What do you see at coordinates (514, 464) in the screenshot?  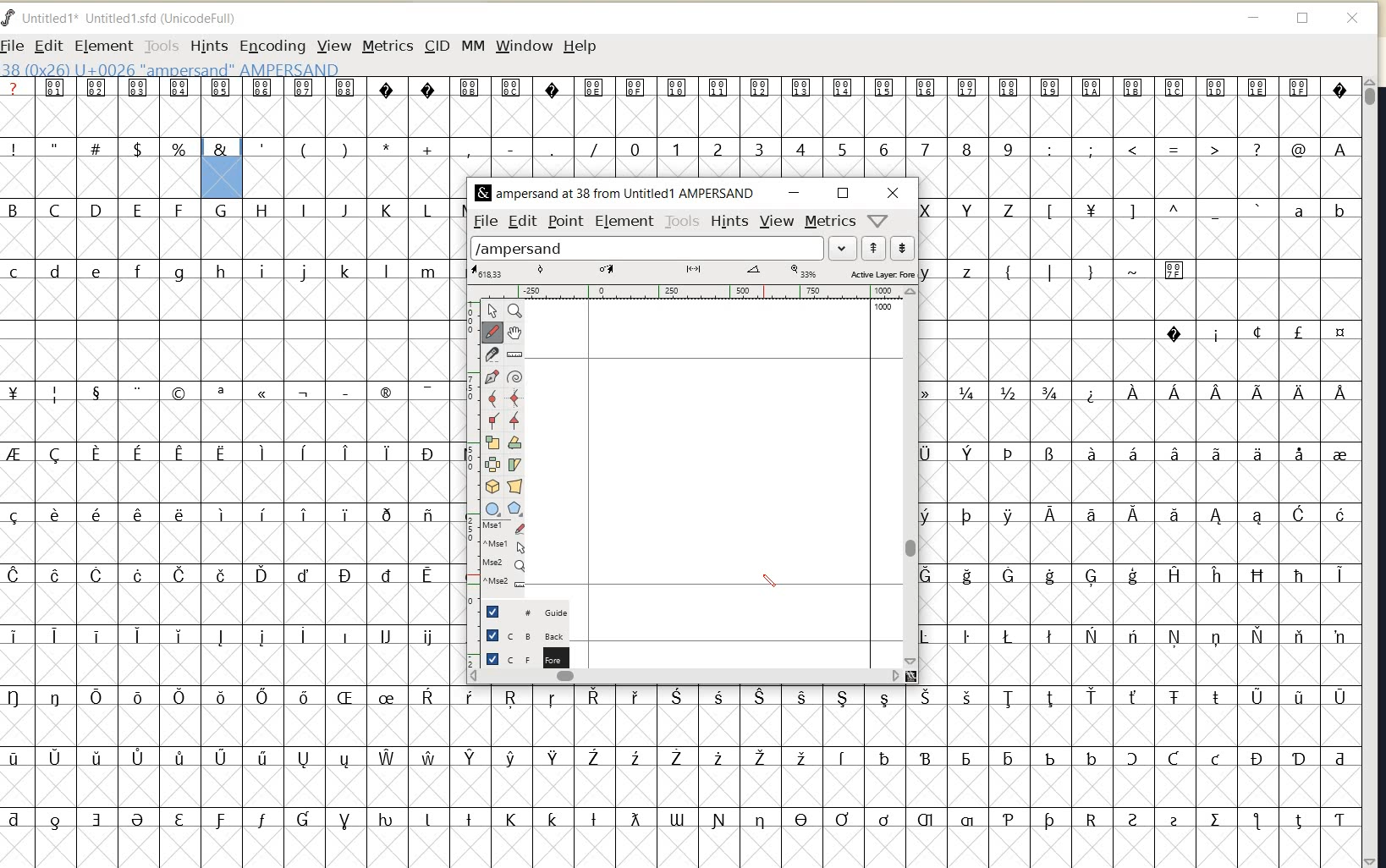 I see `skew the selection` at bounding box center [514, 464].